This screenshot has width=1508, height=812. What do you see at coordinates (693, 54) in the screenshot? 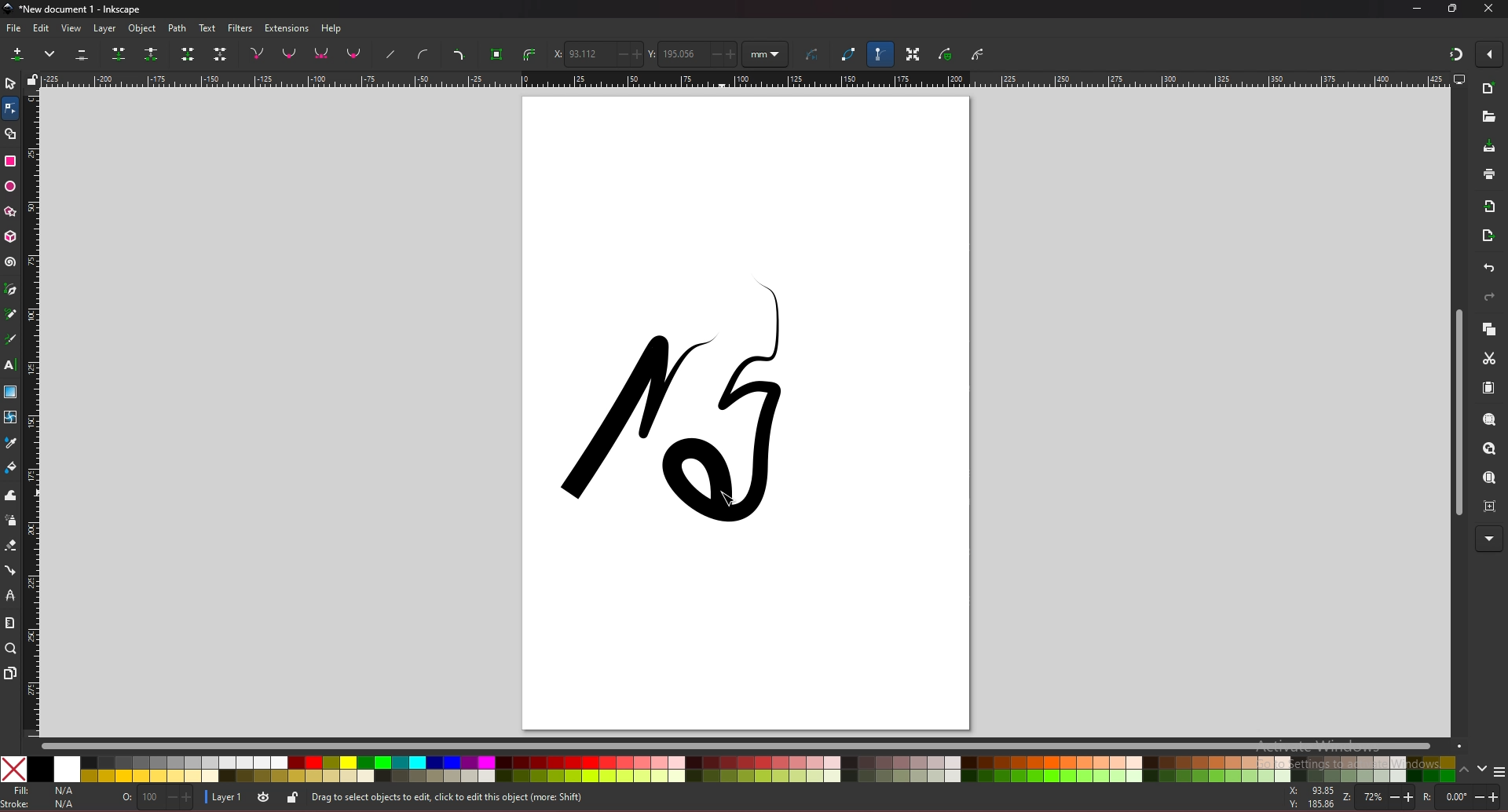
I see `y coordinate` at bounding box center [693, 54].